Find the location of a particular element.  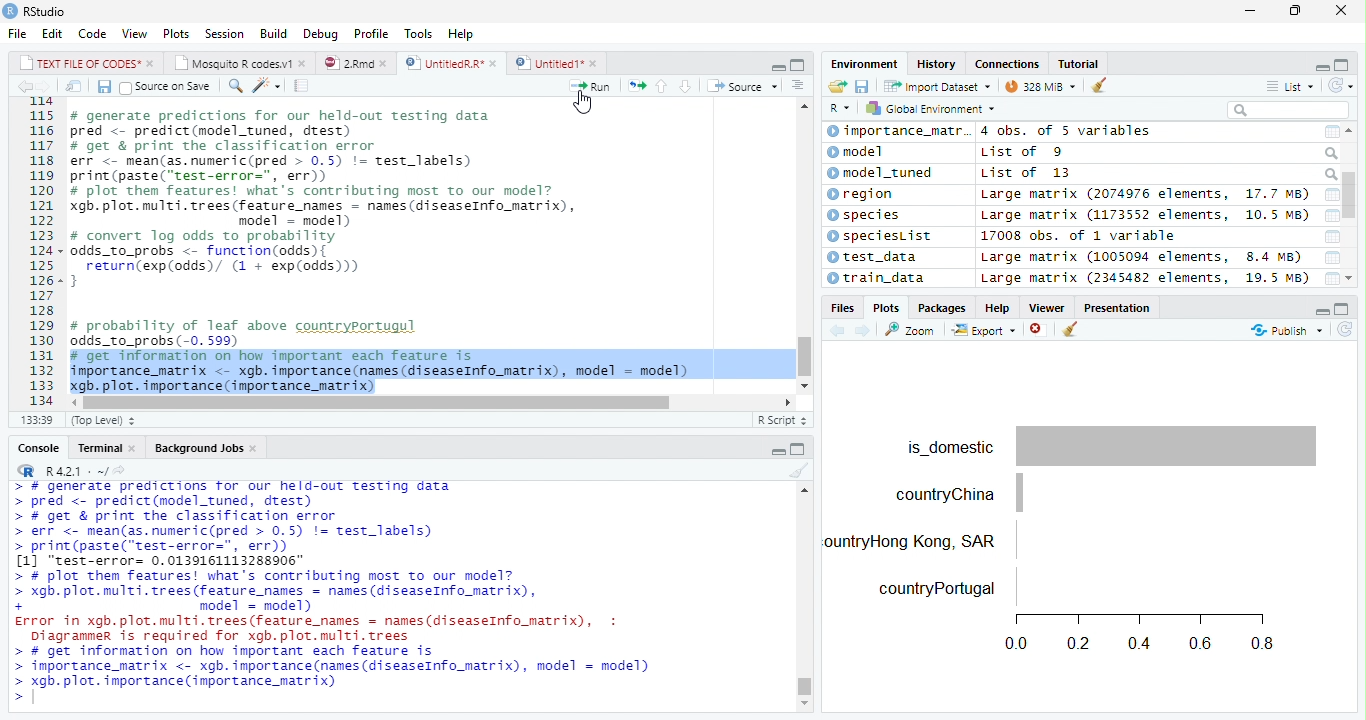

Plots is located at coordinates (885, 308).